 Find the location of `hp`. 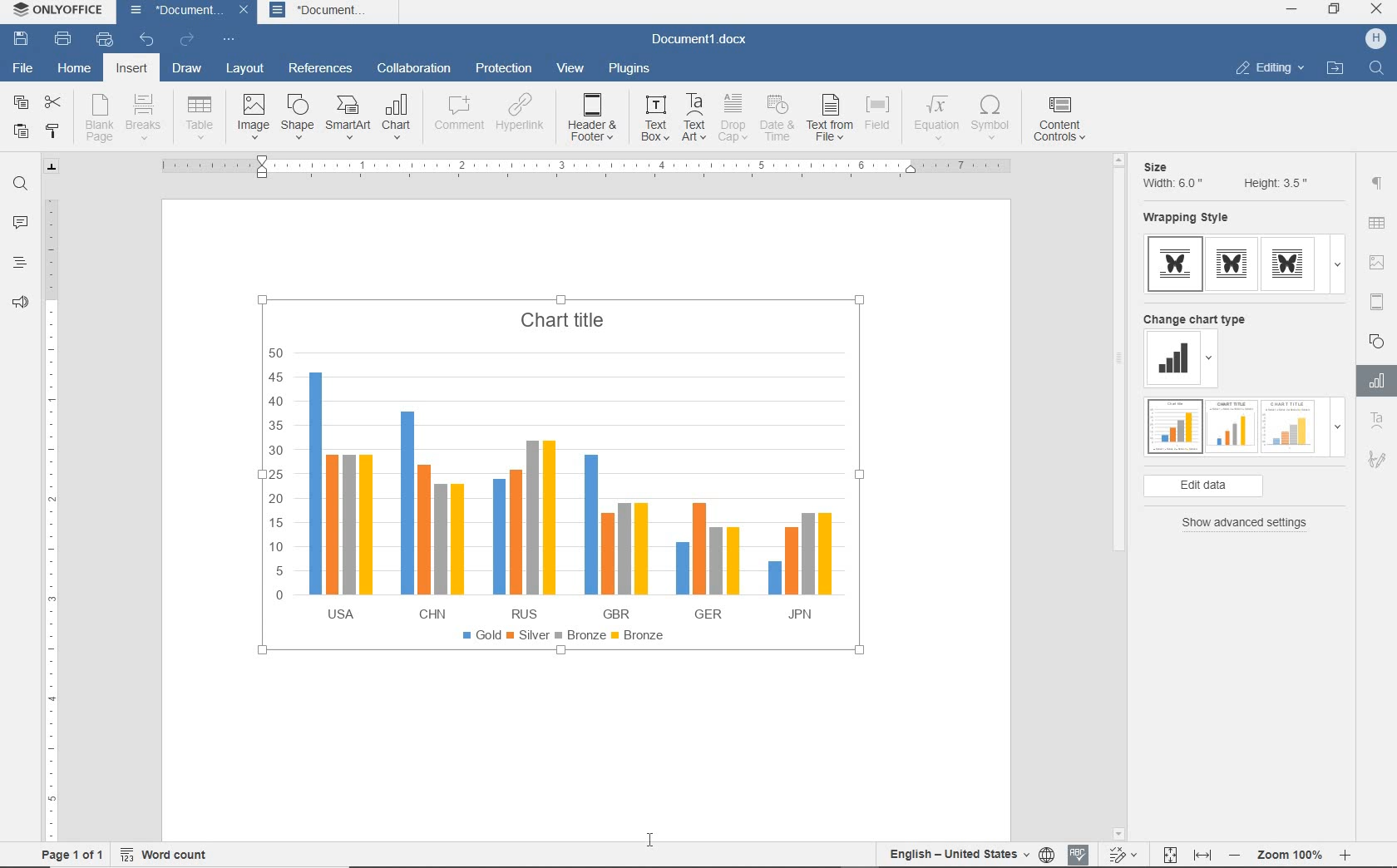

hp is located at coordinates (1376, 39).